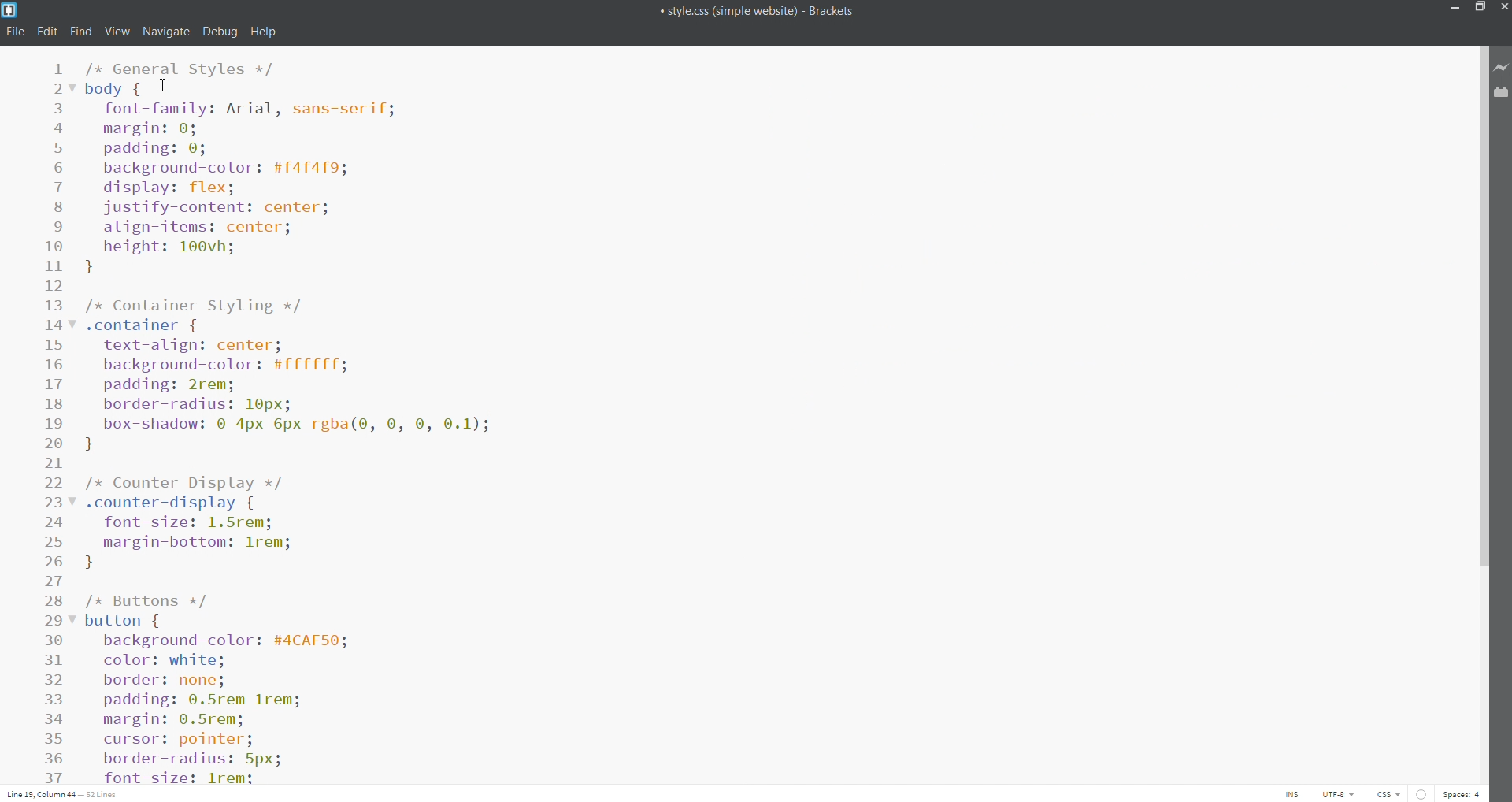  What do you see at coordinates (1455, 9) in the screenshot?
I see `minimize` at bounding box center [1455, 9].